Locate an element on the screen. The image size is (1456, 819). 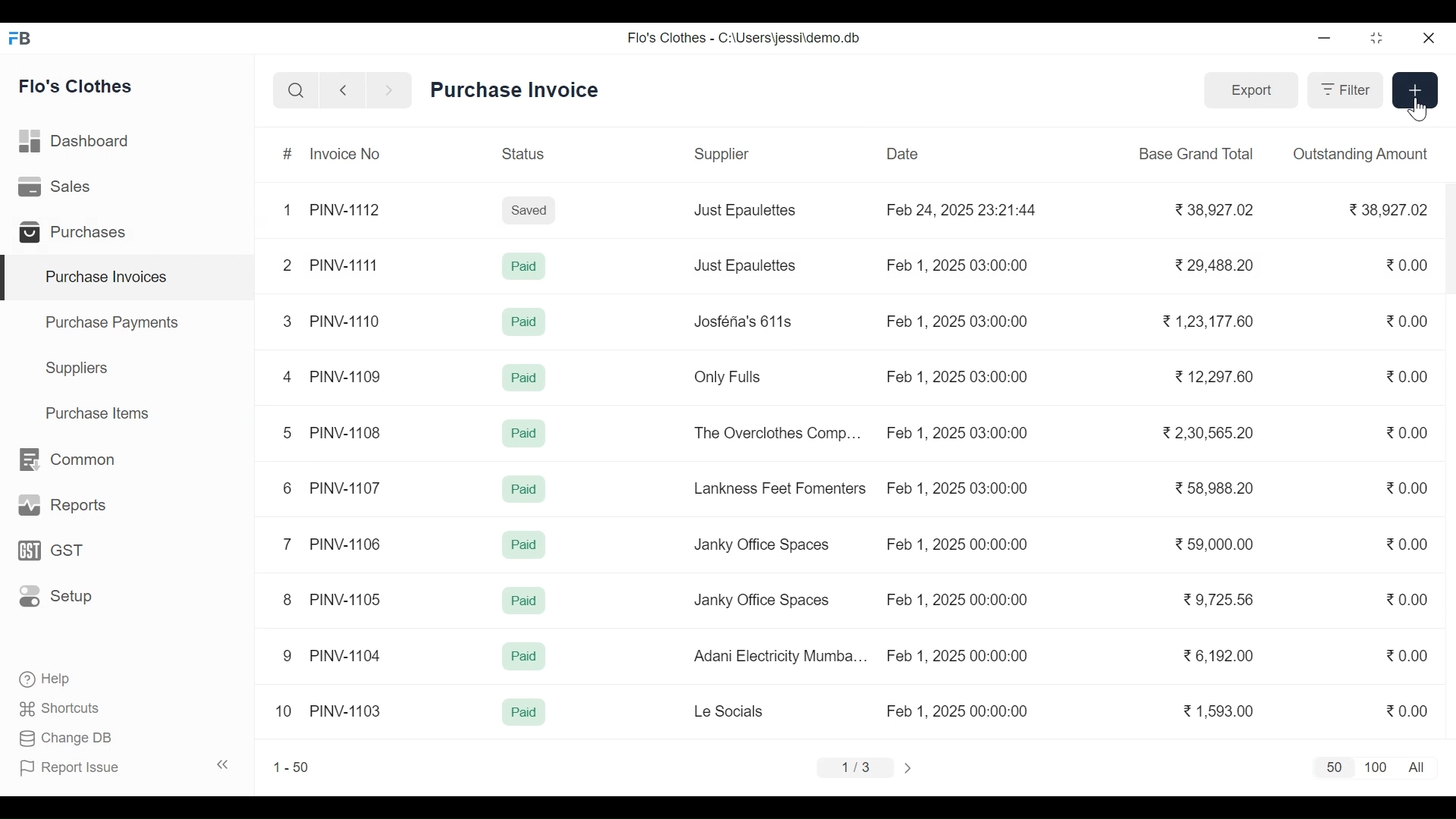
Cursor is located at coordinates (1417, 109).